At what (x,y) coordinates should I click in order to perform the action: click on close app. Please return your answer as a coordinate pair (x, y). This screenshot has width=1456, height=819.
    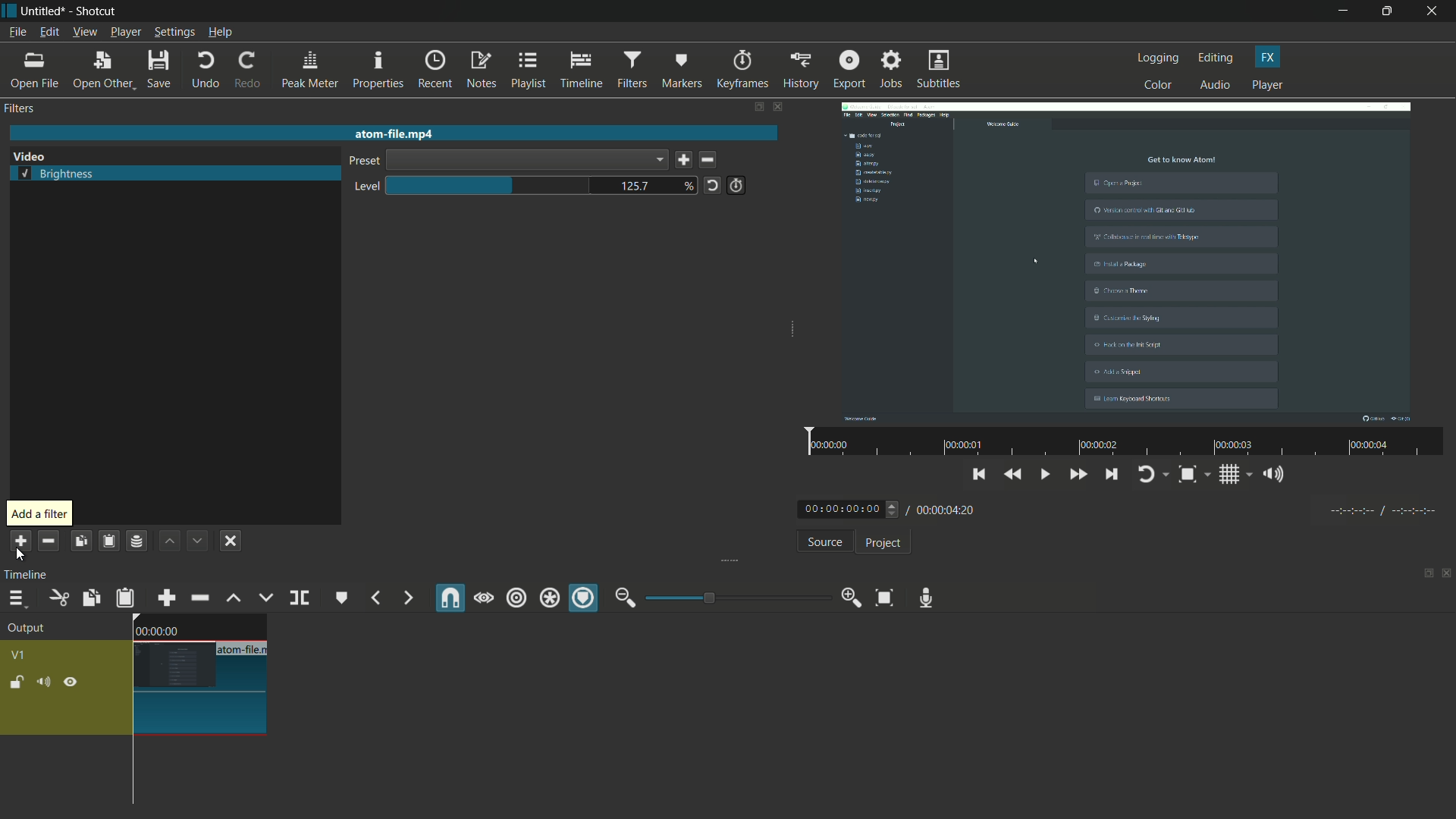
    Looking at the image, I should click on (1434, 11).